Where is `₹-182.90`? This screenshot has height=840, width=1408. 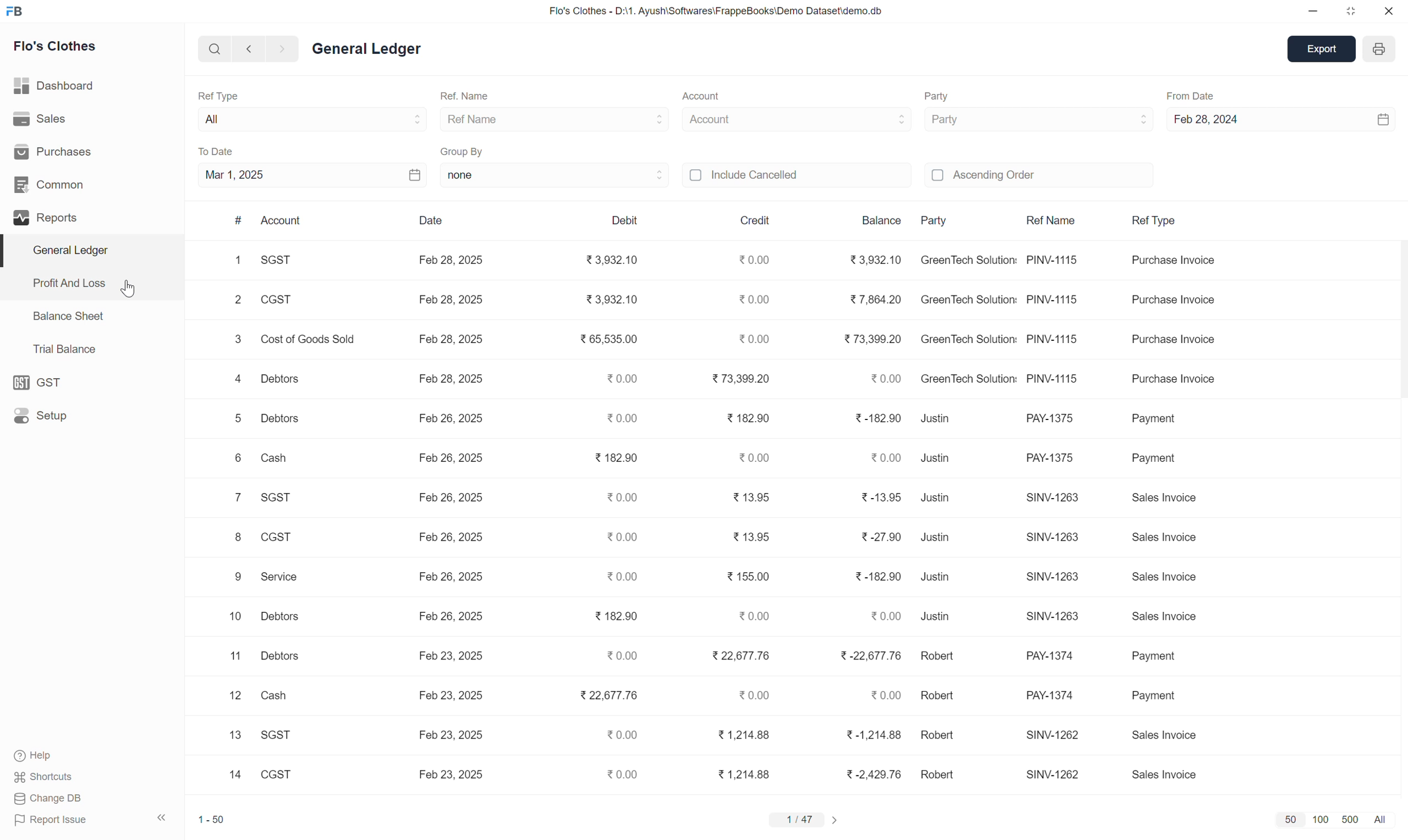 ₹-182.90 is located at coordinates (878, 577).